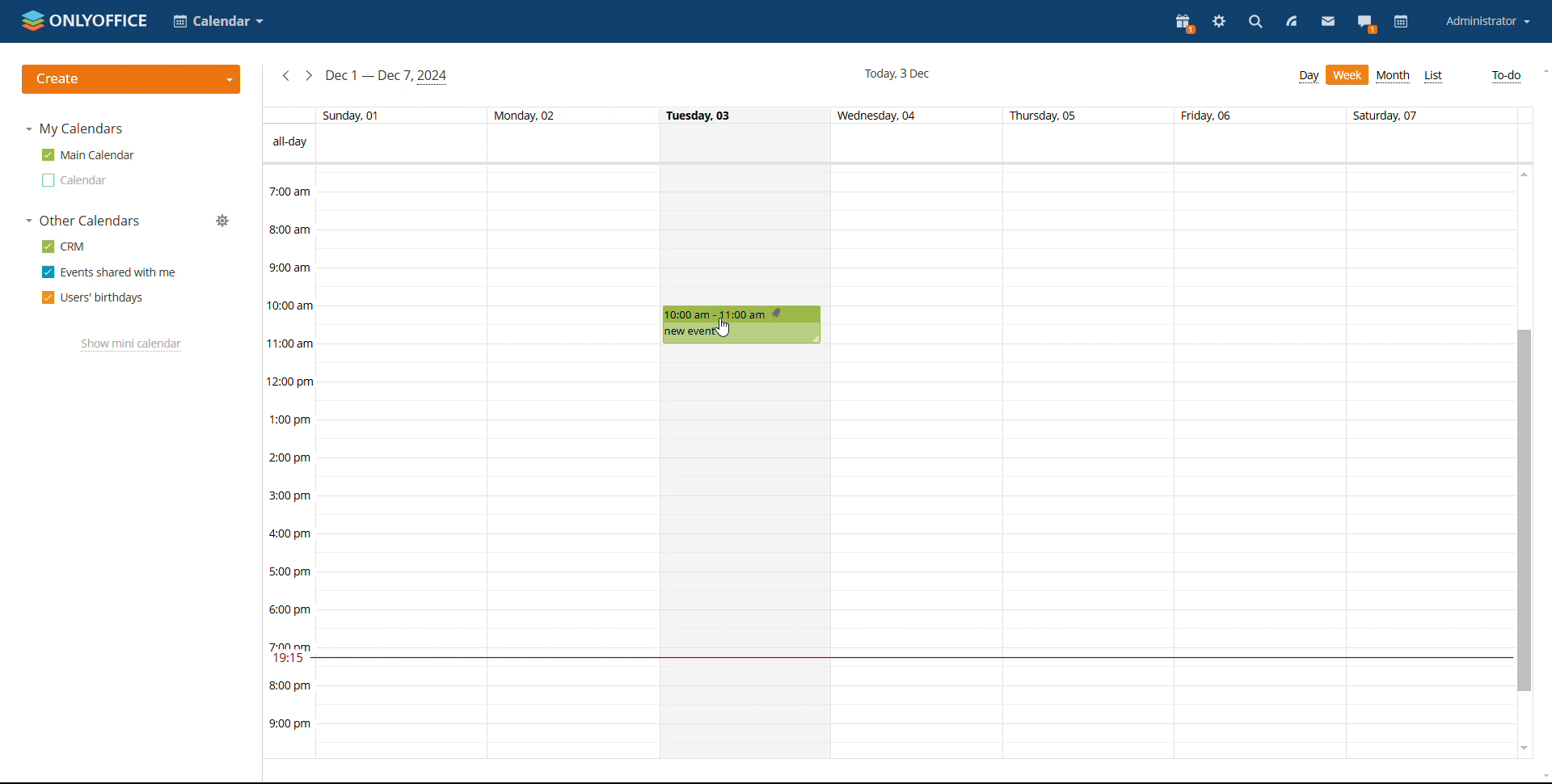  What do you see at coordinates (219, 21) in the screenshot?
I see `Calendar` at bounding box center [219, 21].